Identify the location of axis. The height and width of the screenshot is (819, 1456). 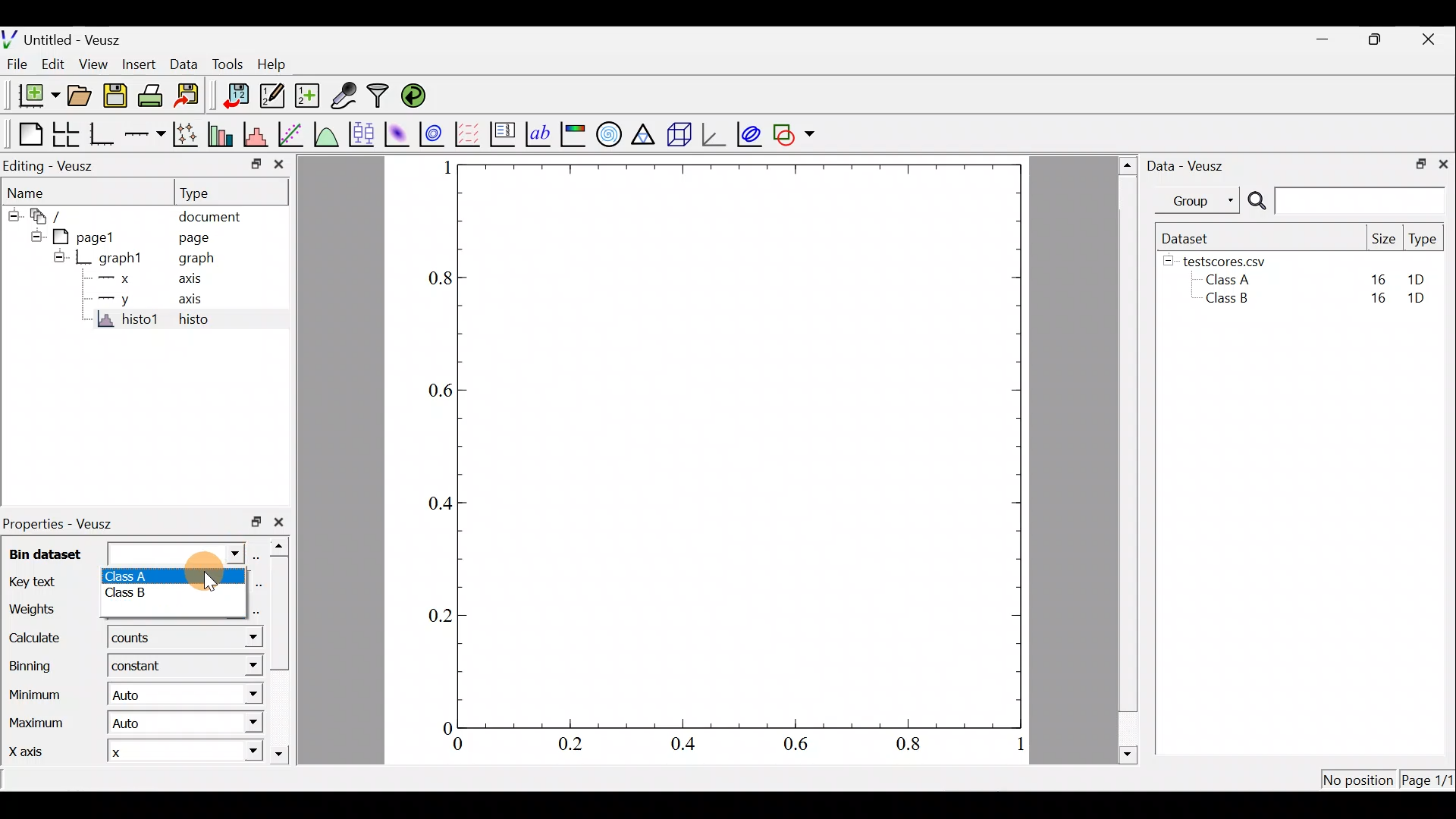
(195, 300).